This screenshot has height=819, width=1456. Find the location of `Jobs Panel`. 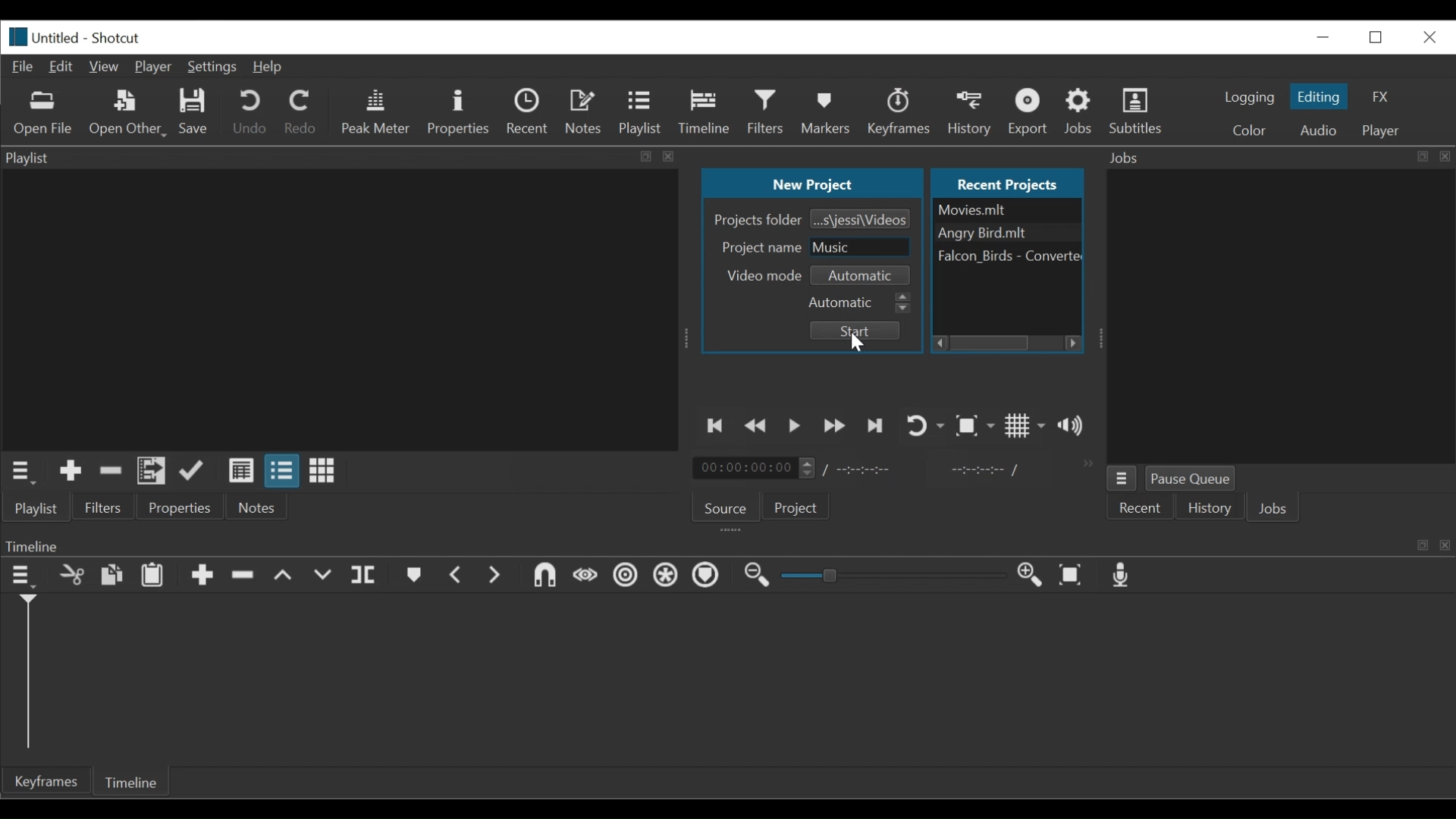

Jobs Panel is located at coordinates (1280, 315).